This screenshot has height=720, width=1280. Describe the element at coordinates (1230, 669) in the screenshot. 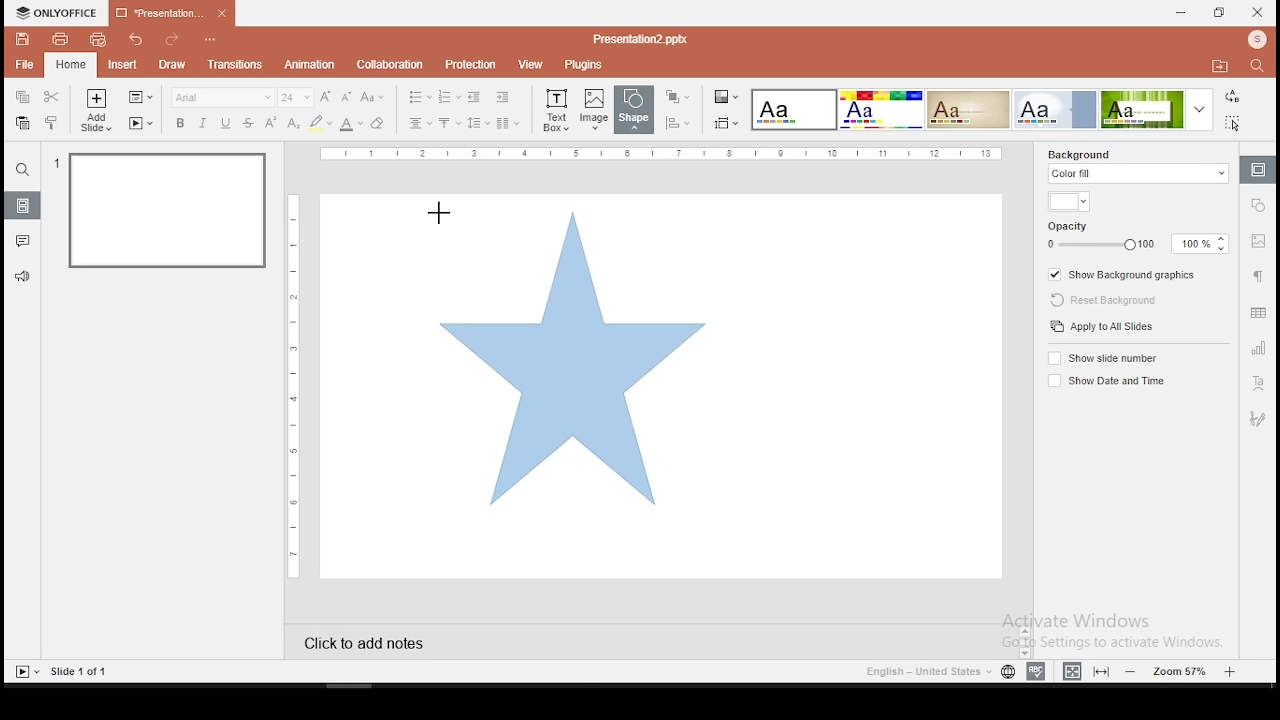

I see `zoom in` at that location.